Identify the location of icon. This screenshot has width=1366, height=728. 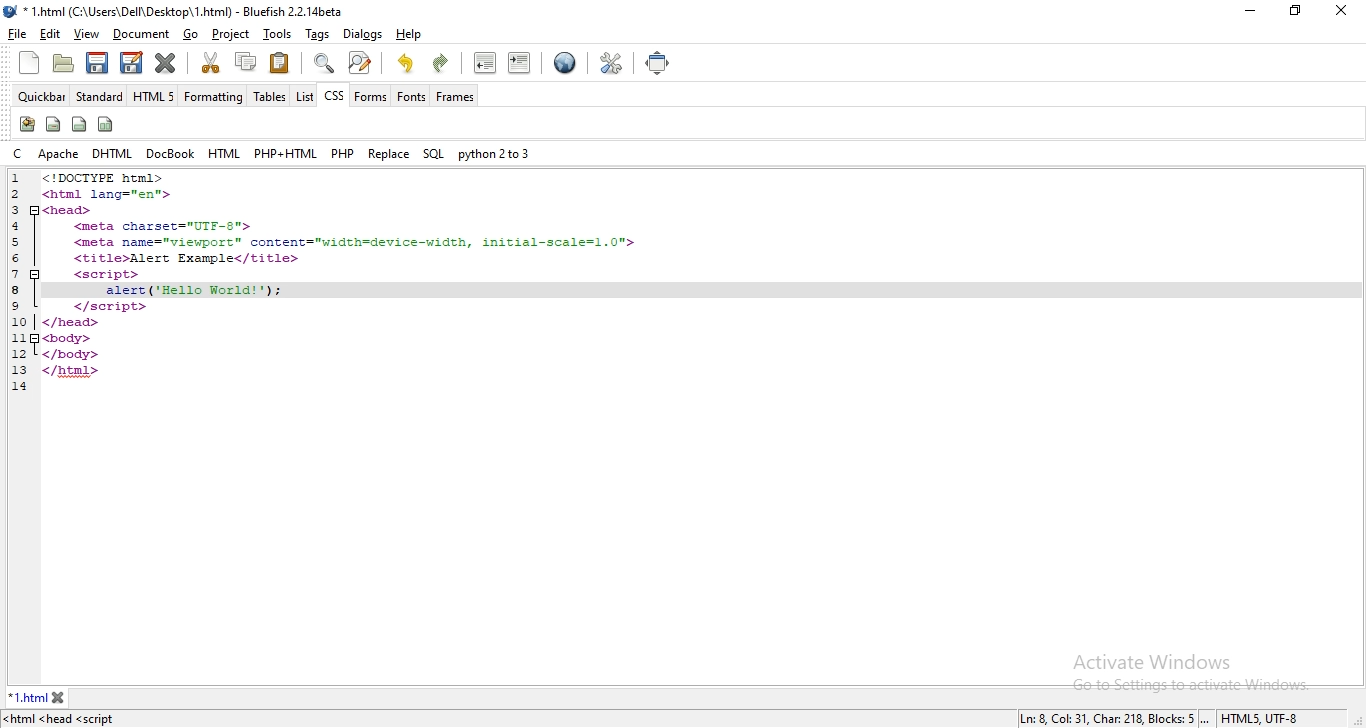
(108, 123).